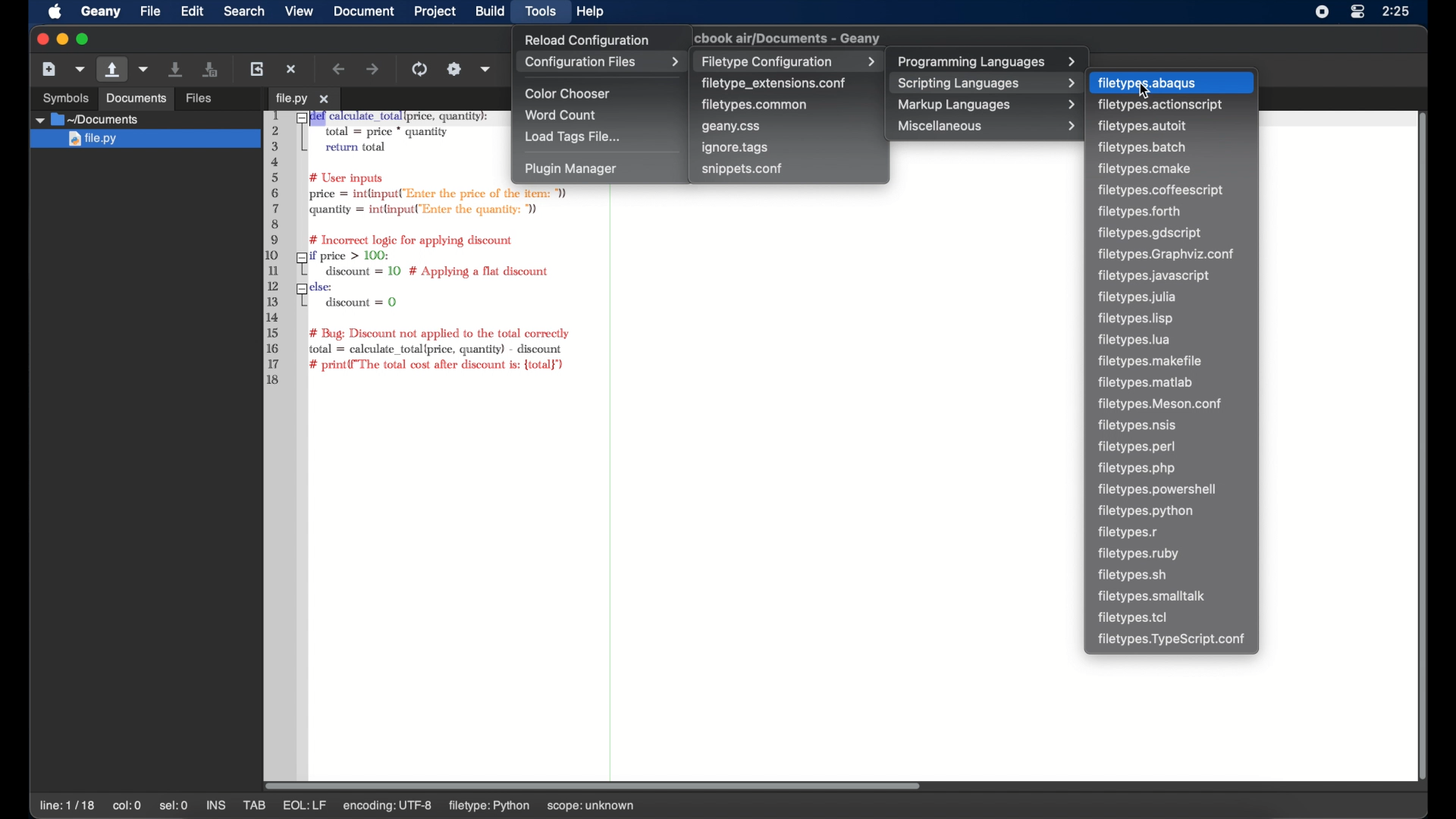 This screenshot has height=819, width=1456. I want to click on load tags file.., so click(573, 137).